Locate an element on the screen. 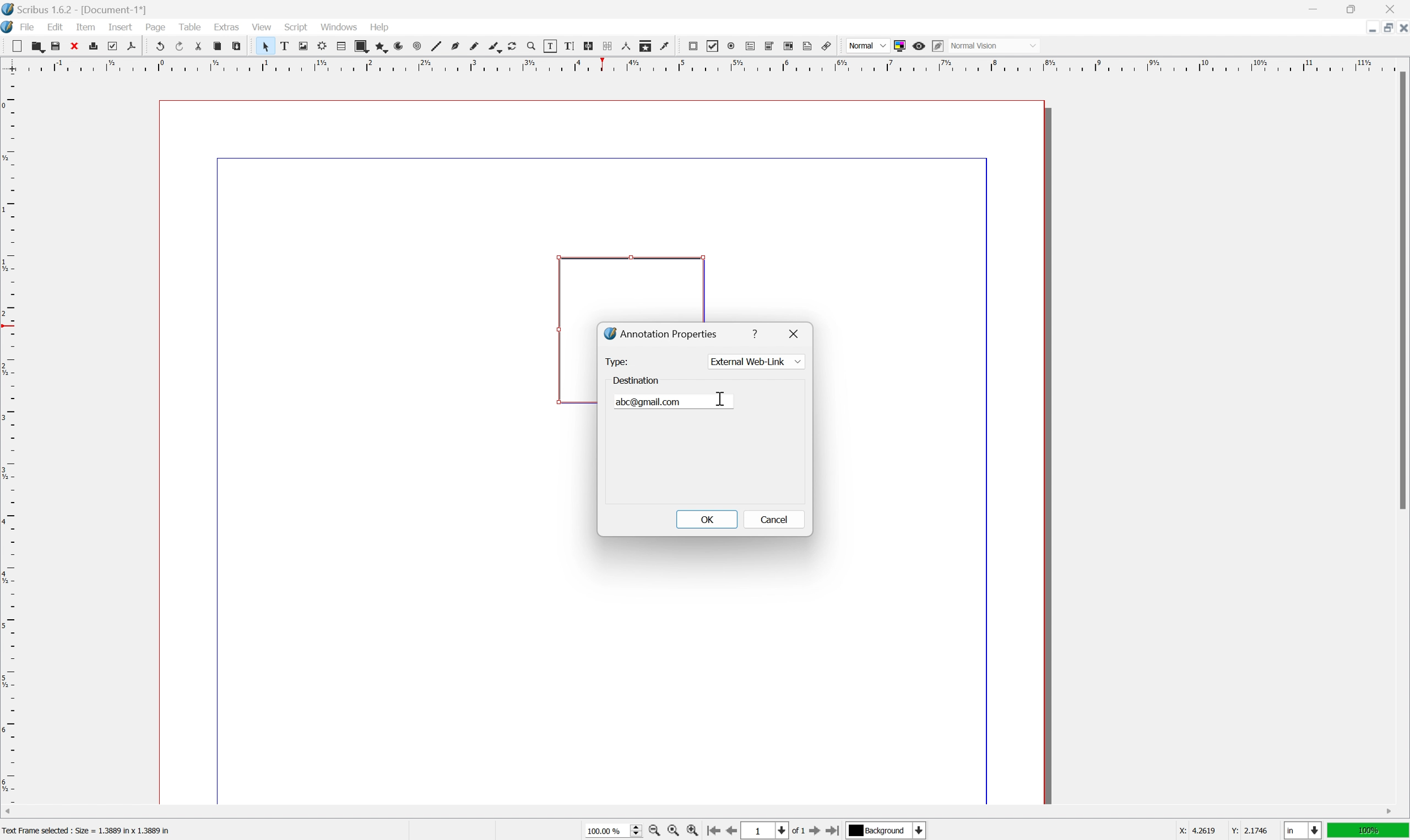 This screenshot has height=840, width=1410. pdf combo box is located at coordinates (770, 46).